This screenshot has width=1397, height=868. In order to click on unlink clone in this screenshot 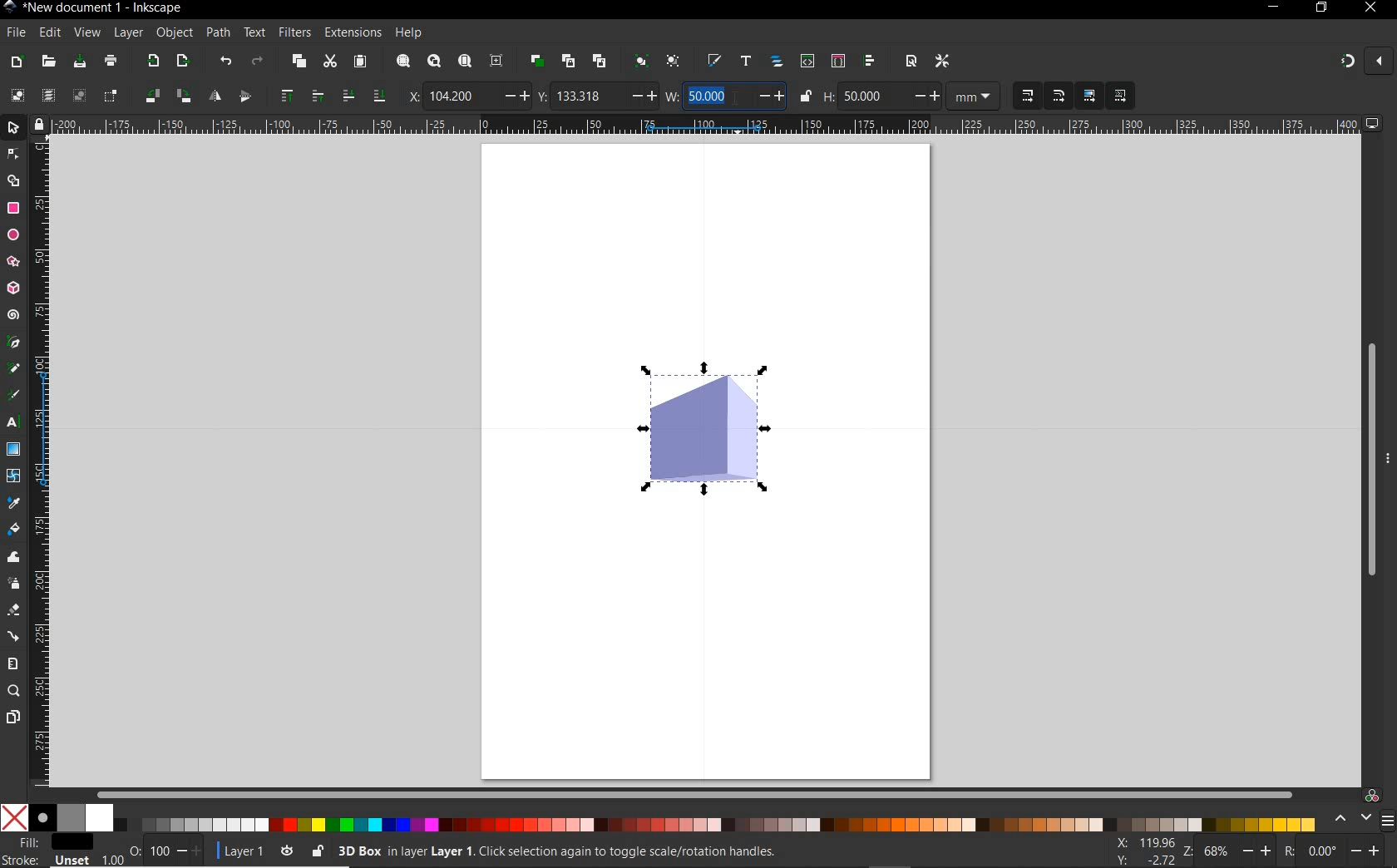, I will do `click(598, 61)`.